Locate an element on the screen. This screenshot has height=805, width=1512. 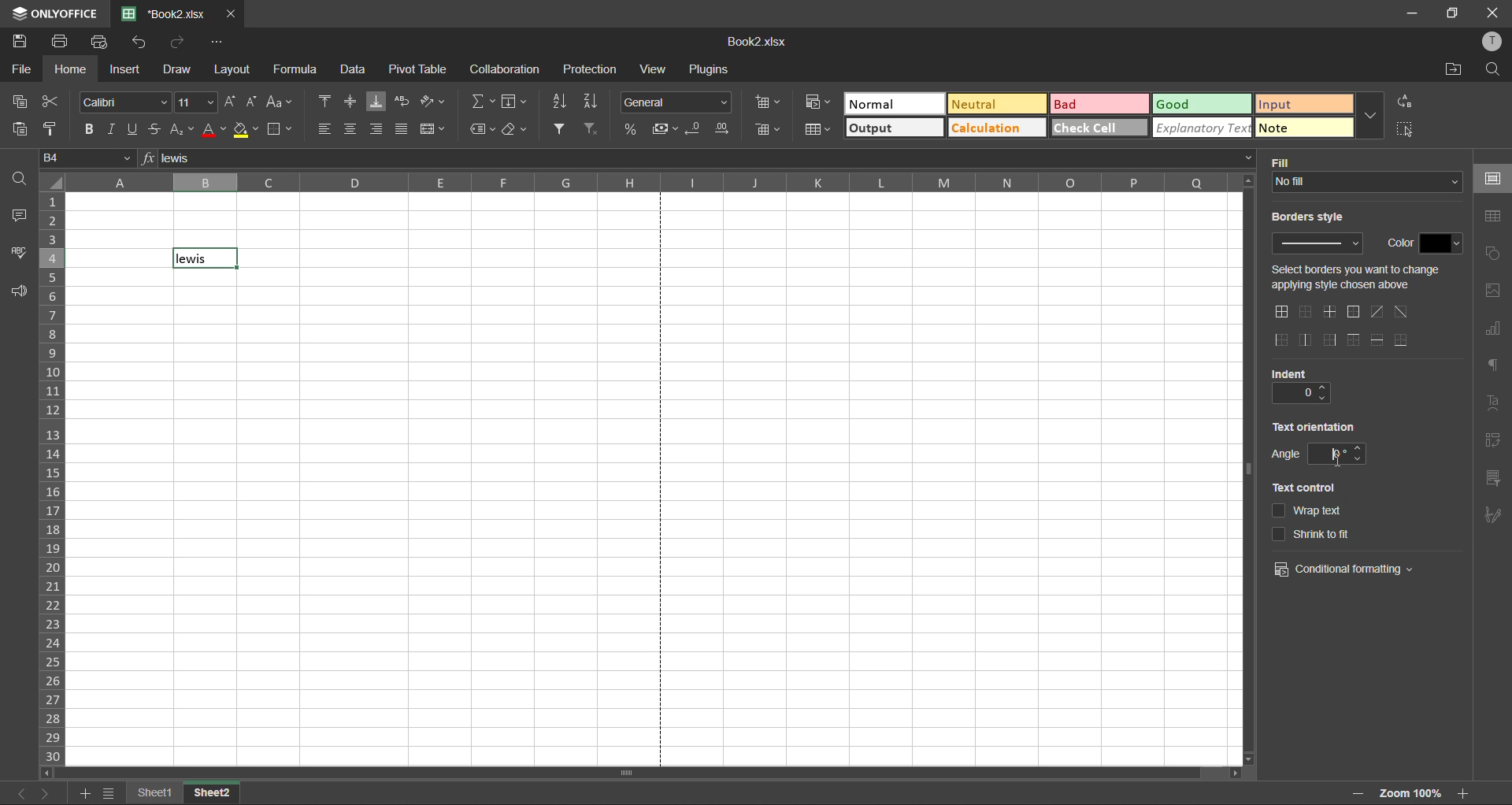
zoom factor is located at coordinates (1411, 792).